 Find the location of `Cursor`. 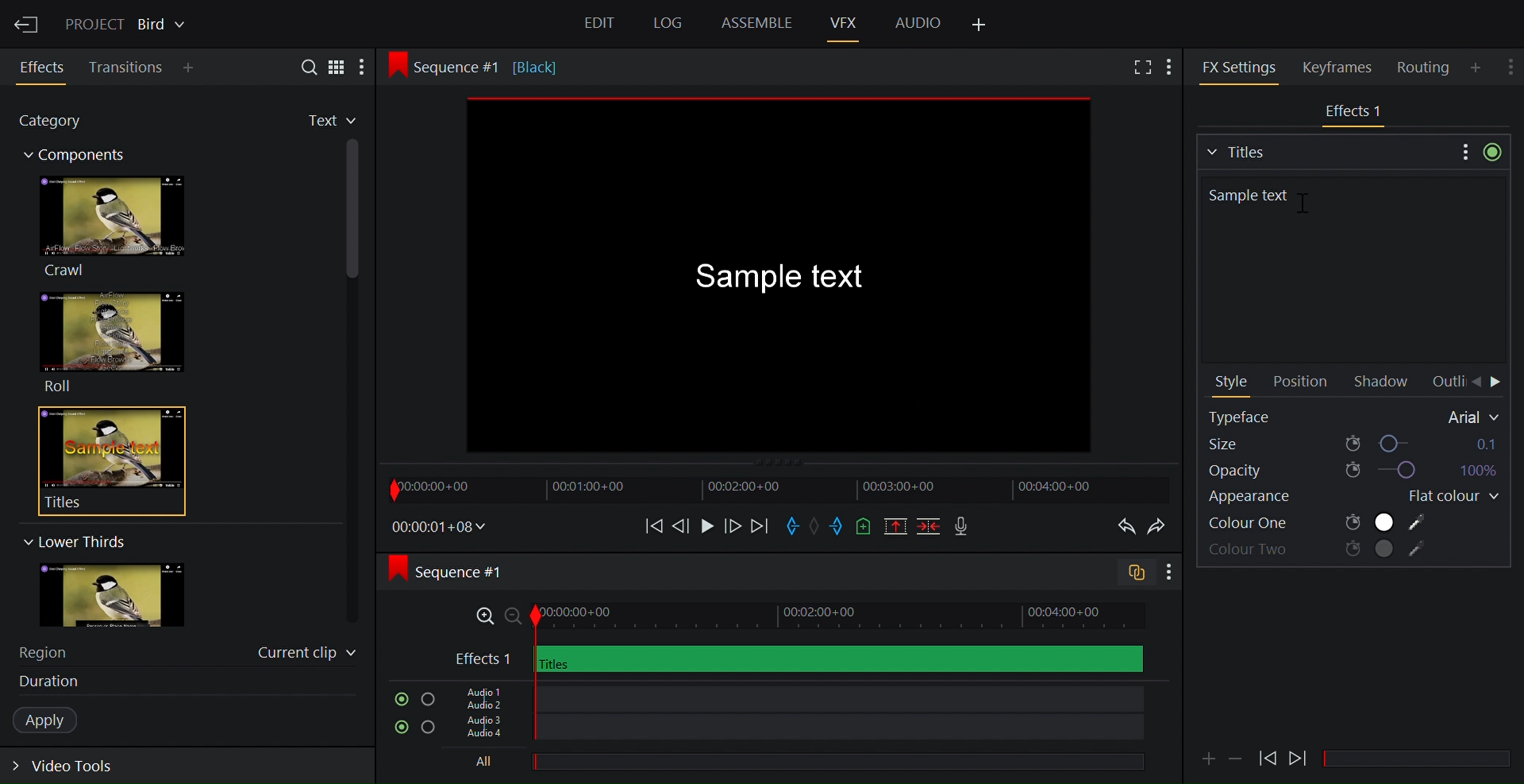

Cursor is located at coordinates (1309, 209).